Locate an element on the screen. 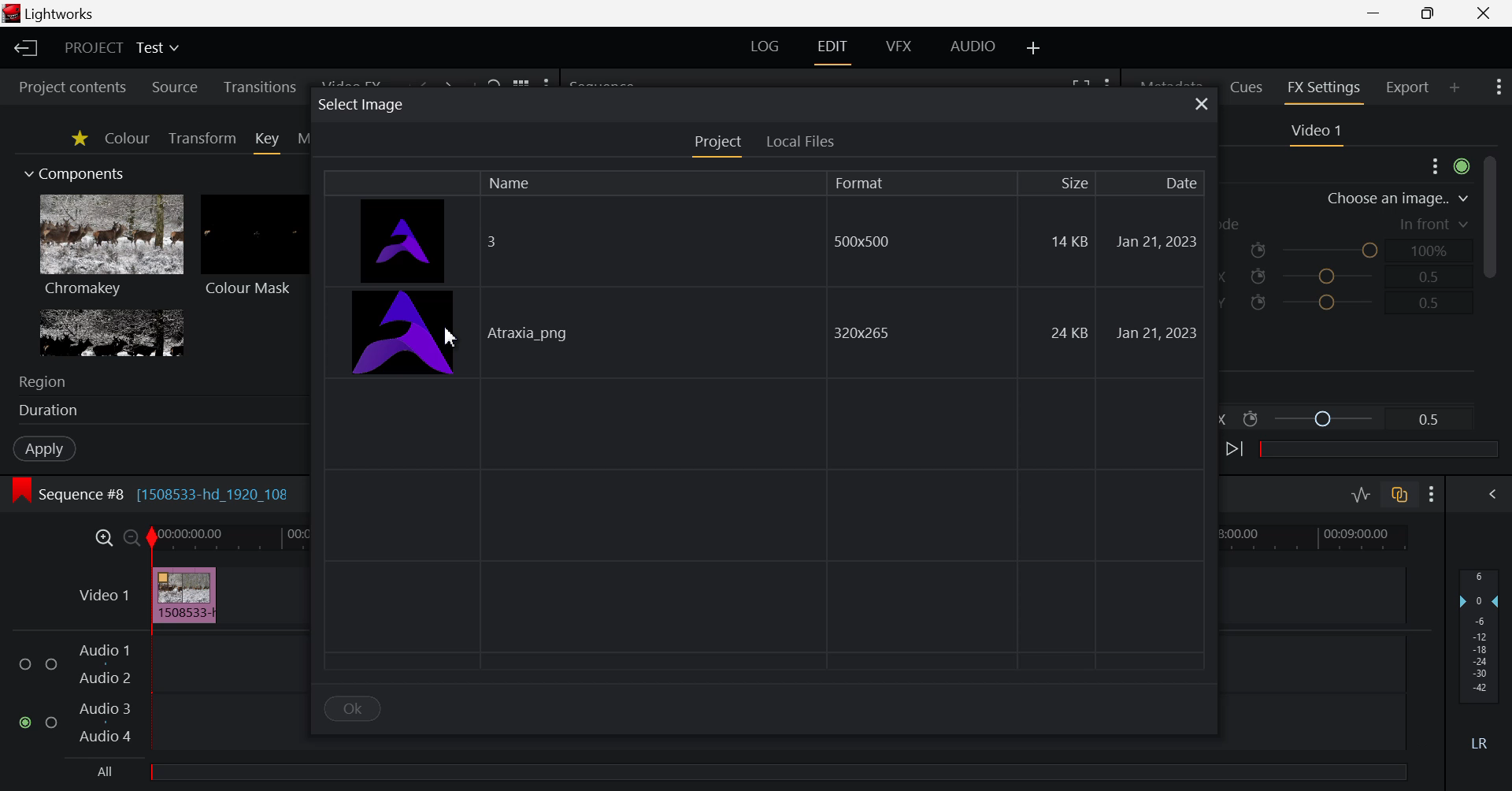 The image size is (1512, 791). Audio 1 is located at coordinates (104, 650).